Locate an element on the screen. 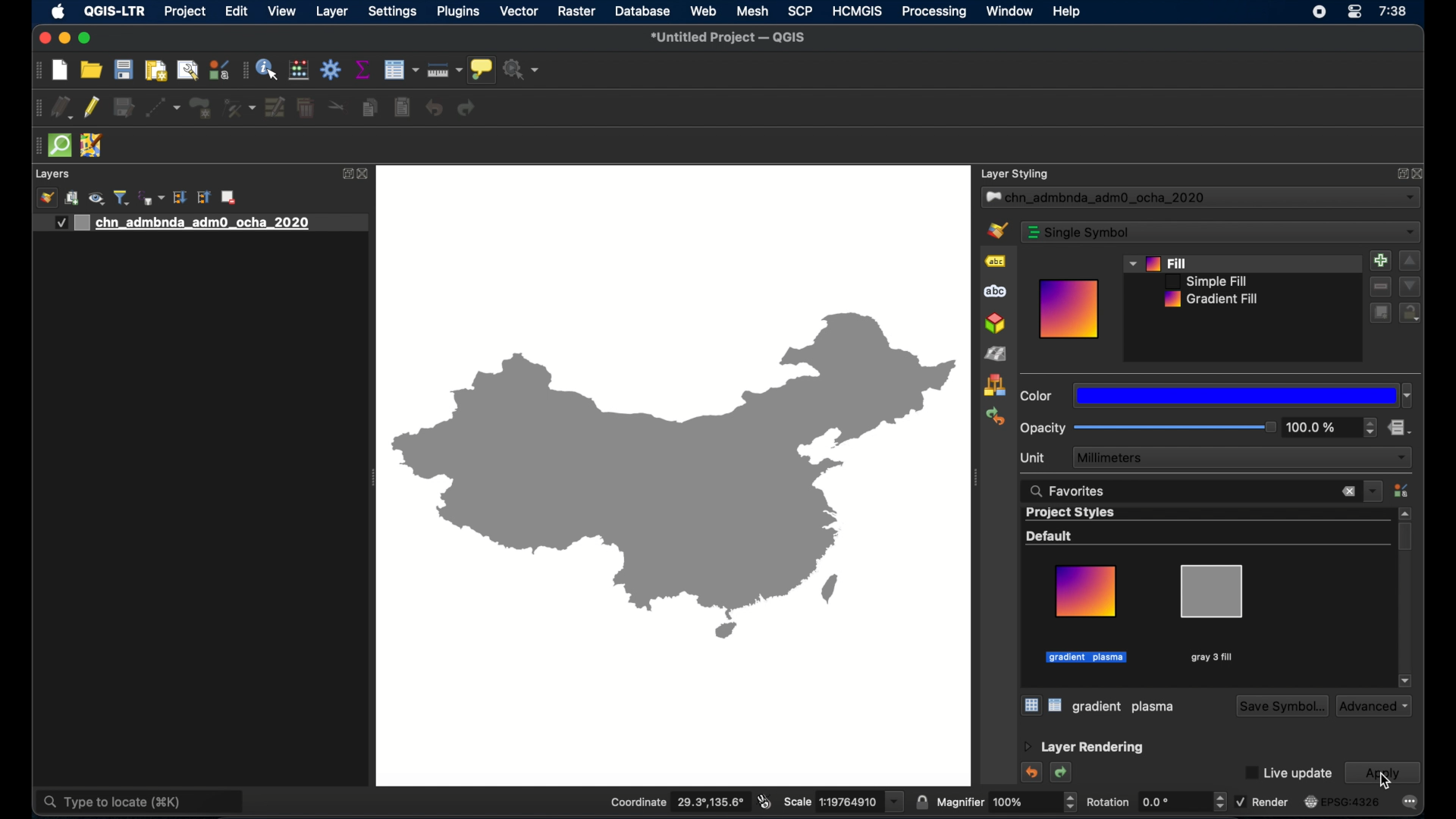 This screenshot has width=1456, height=819. web is located at coordinates (704, 11).